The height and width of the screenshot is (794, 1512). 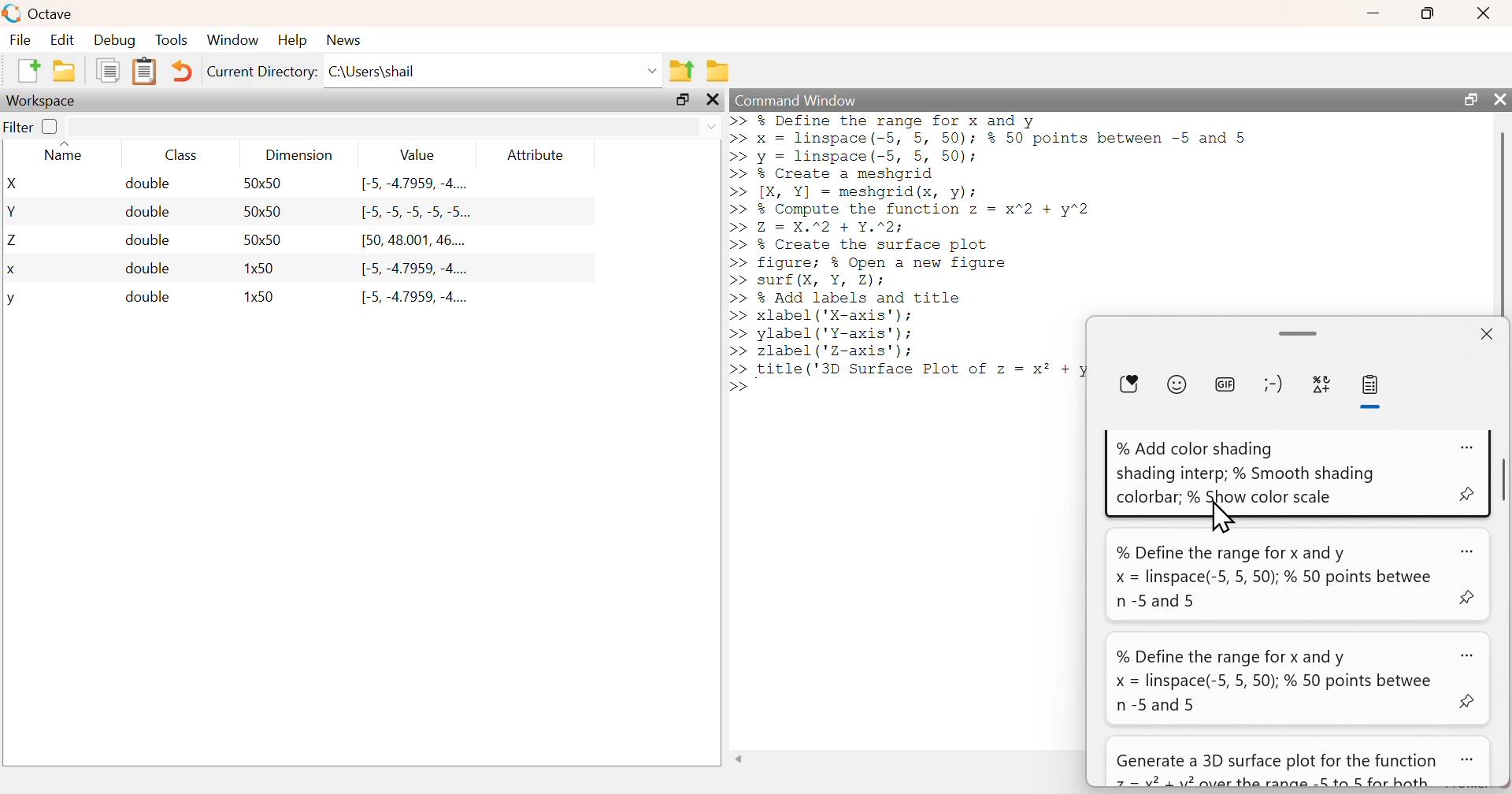 What do you see at coordinates (172, 39) in the screenshot?
I see `Tools` at bounding box center [172, 39].